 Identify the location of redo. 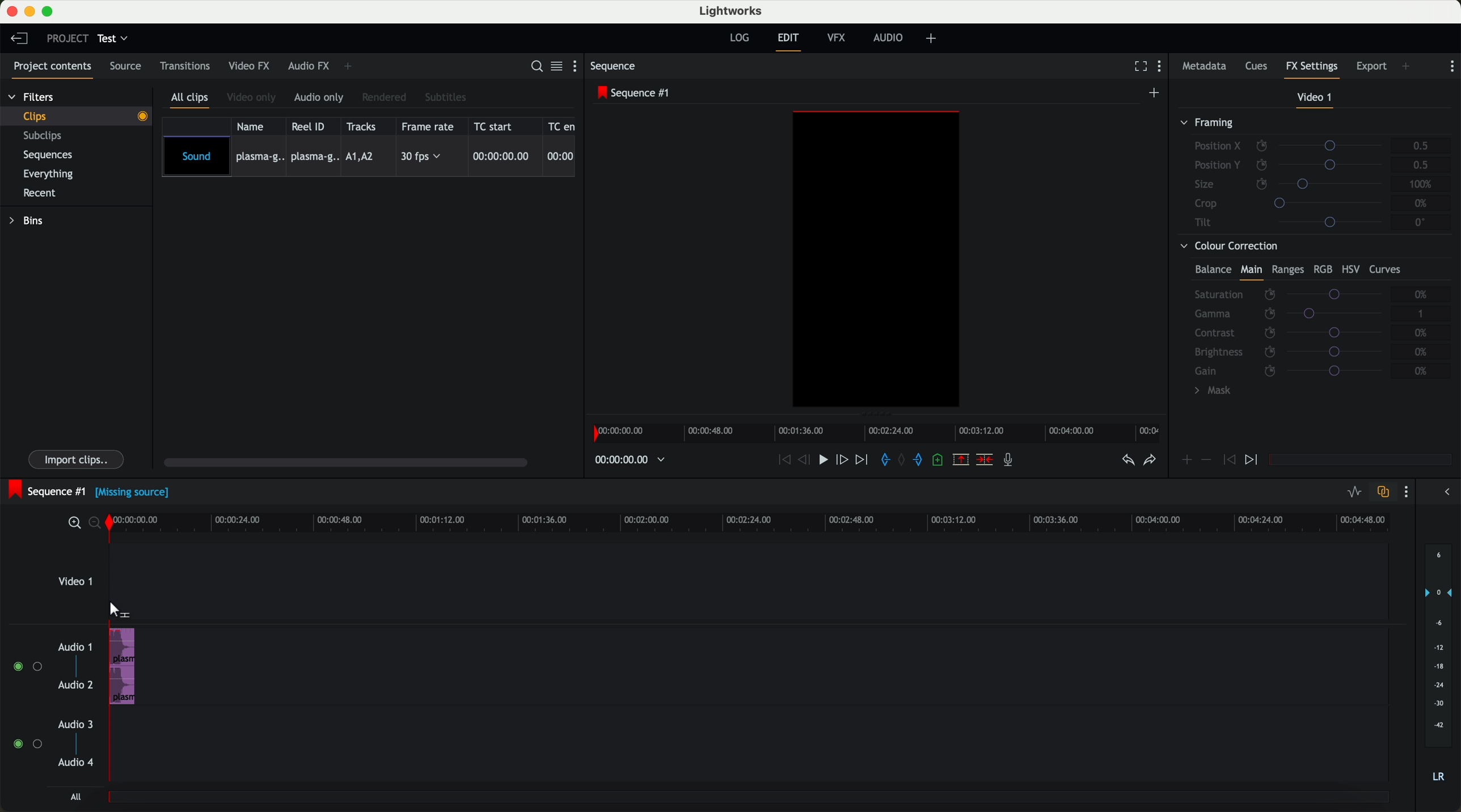
(1148, 462).